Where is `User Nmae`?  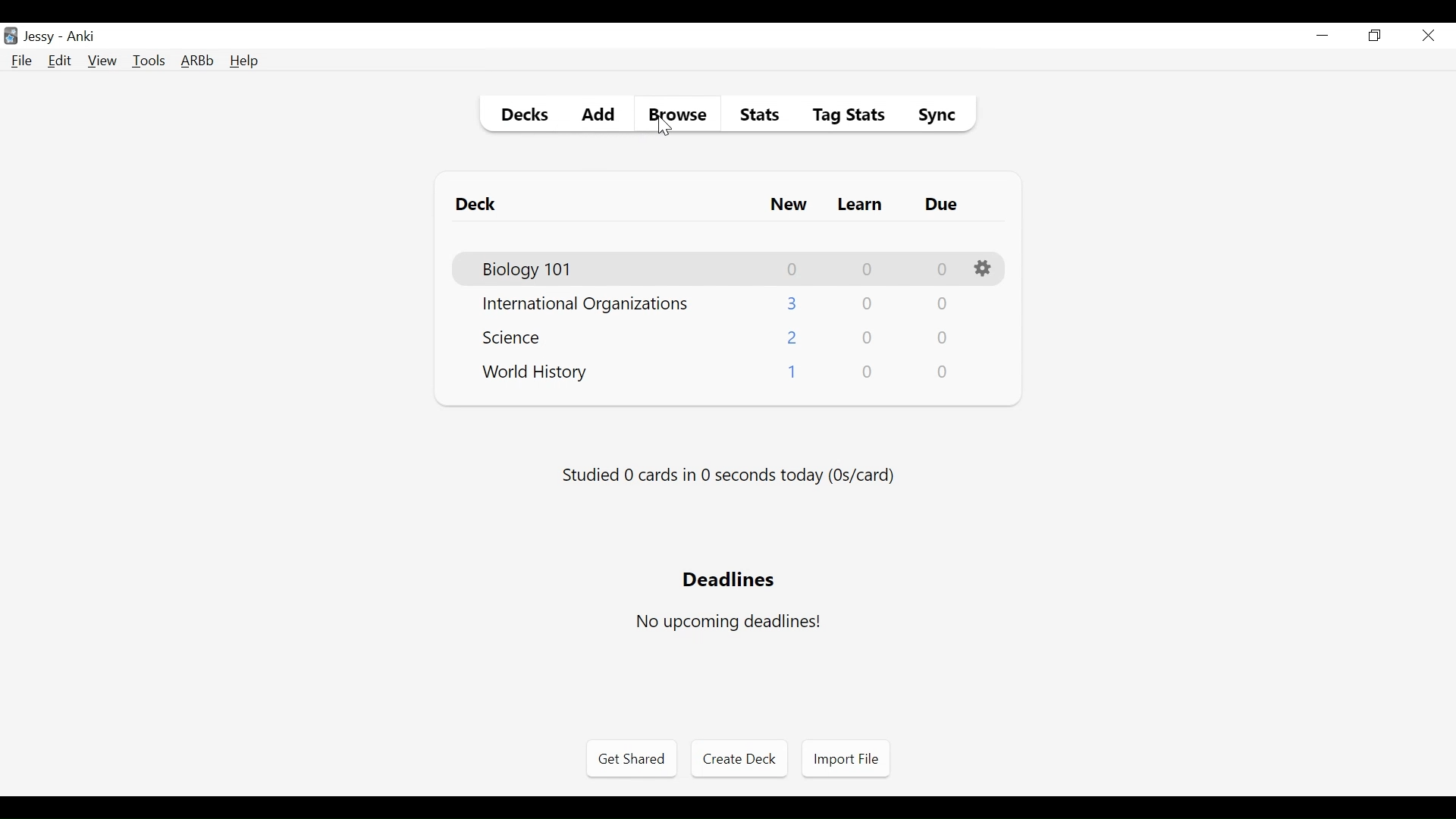 User Nmae is located at coordinates (42, 37).